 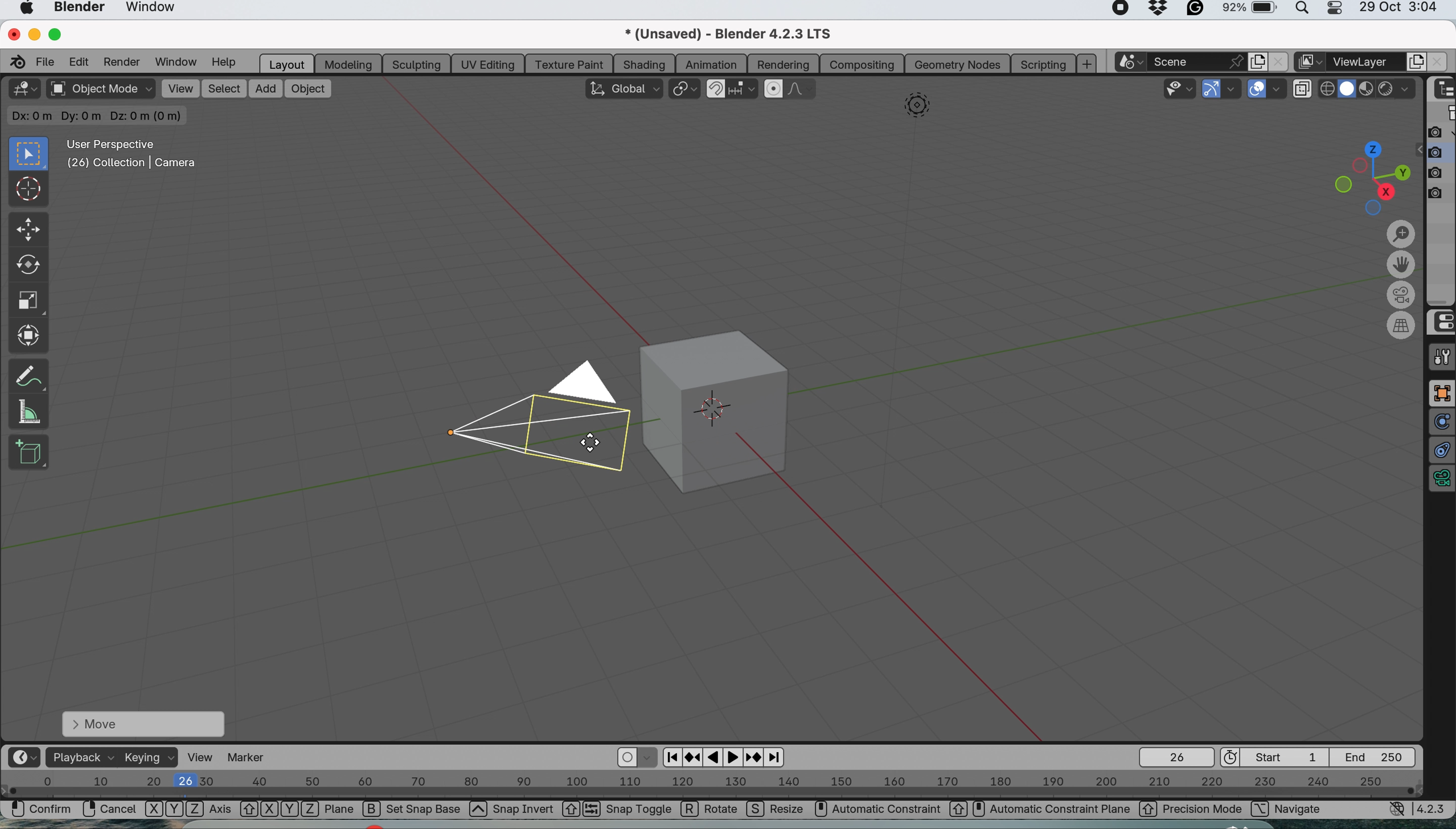 I want to click on control center, so click(x=1441, y=322).